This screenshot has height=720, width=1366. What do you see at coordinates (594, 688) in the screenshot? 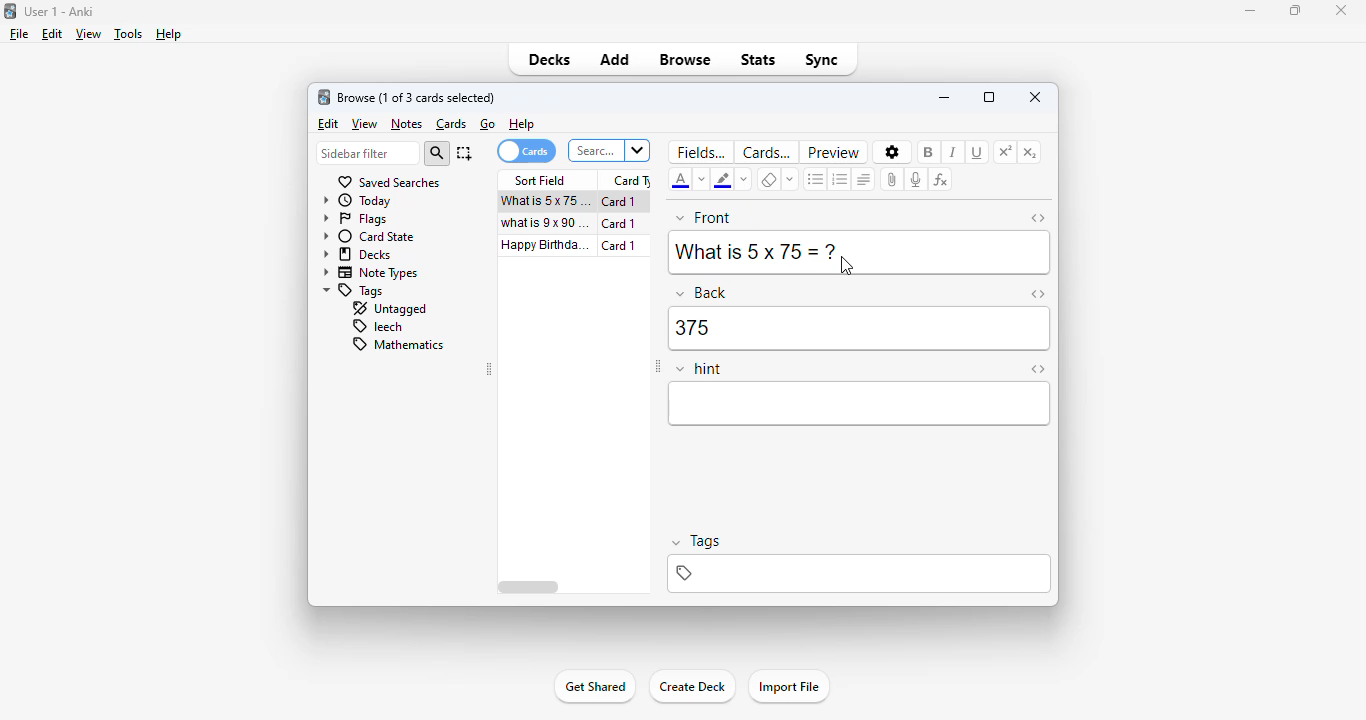
I see `get shared` at bounding box center [594, 688].